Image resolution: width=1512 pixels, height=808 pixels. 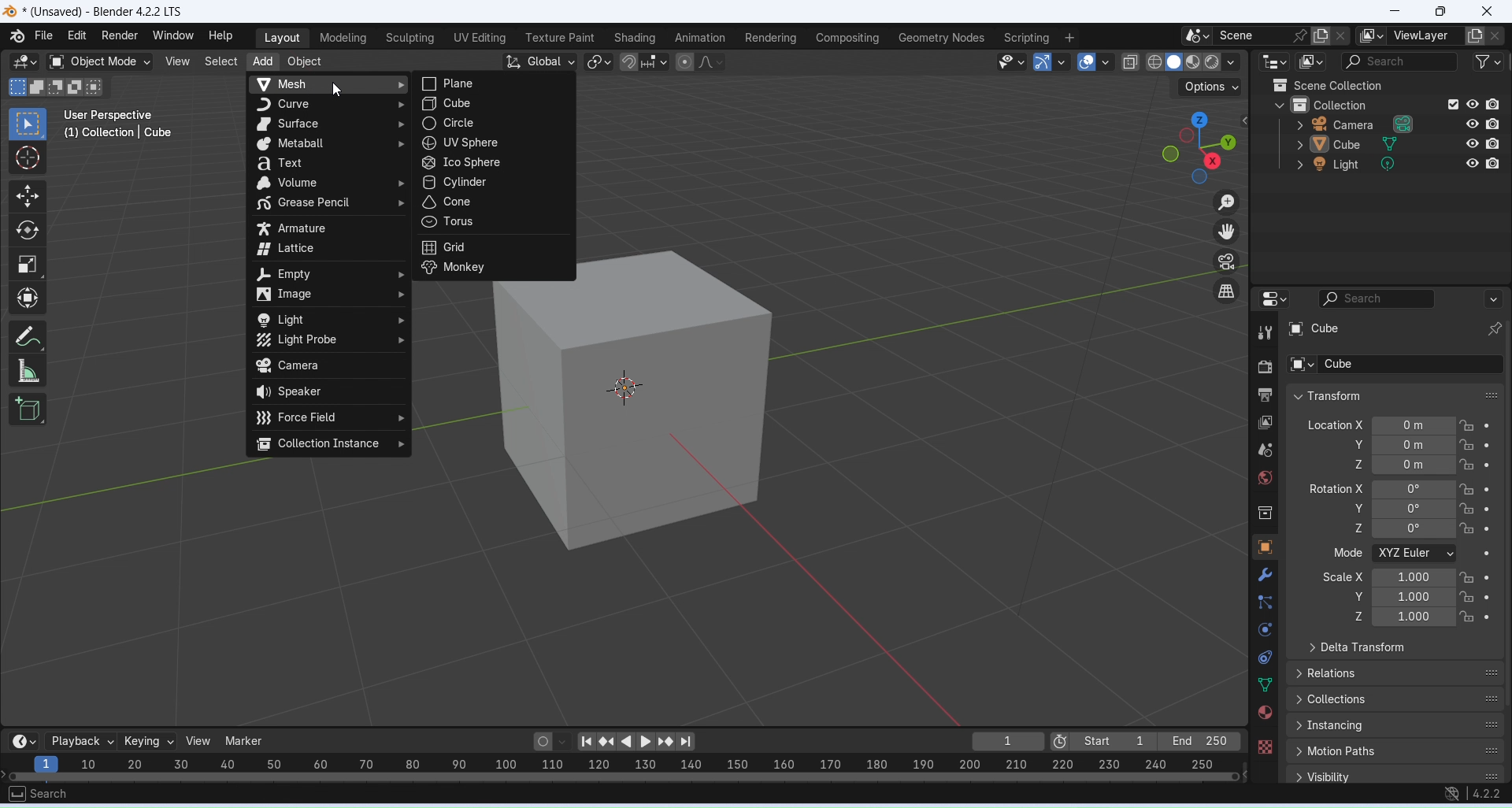 What do you see at coordinates (1265, 657) in the screenshot?
I see `Constraints` at bounding box center [1265, 657].